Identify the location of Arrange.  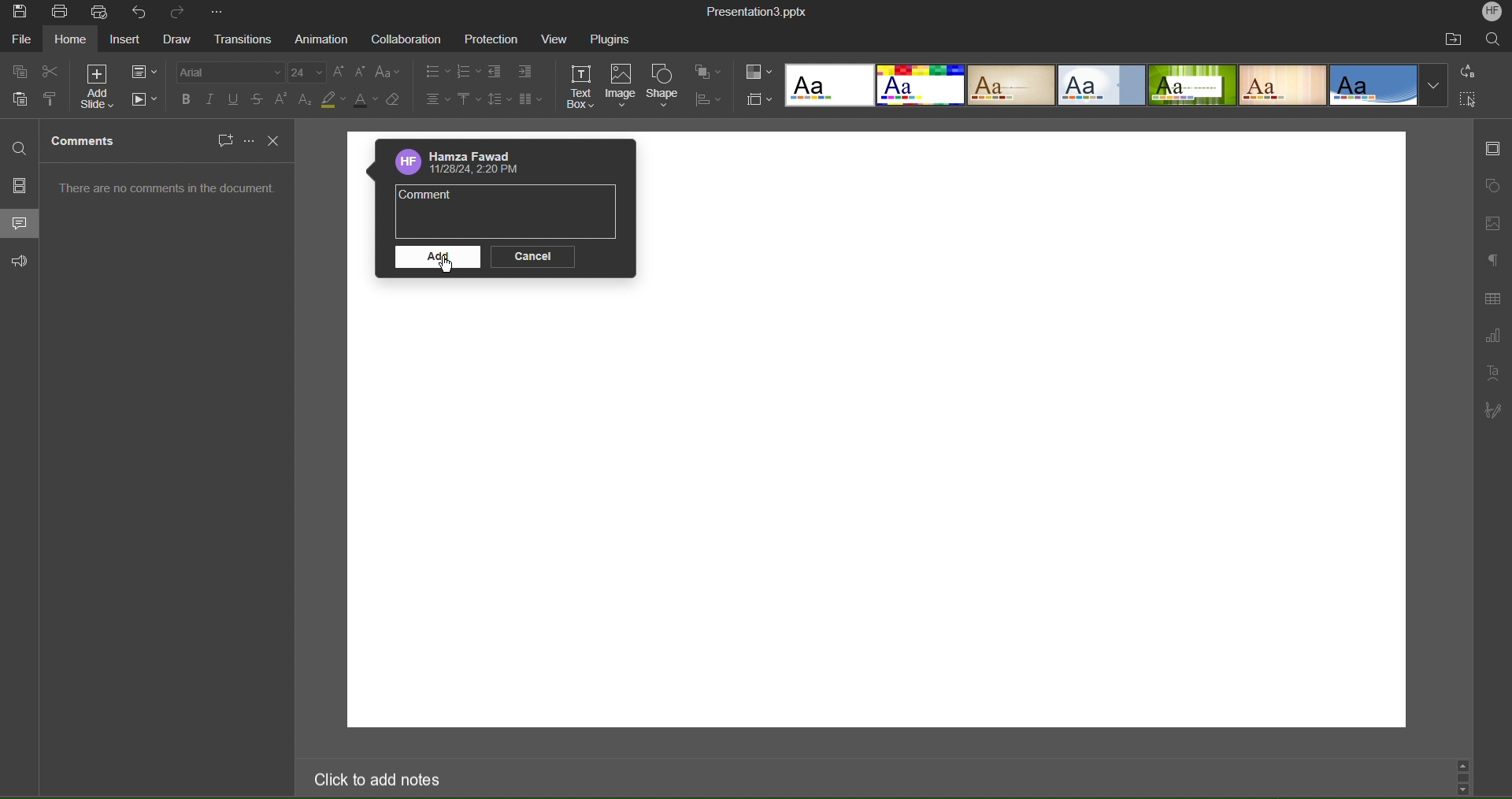
(708, 73).